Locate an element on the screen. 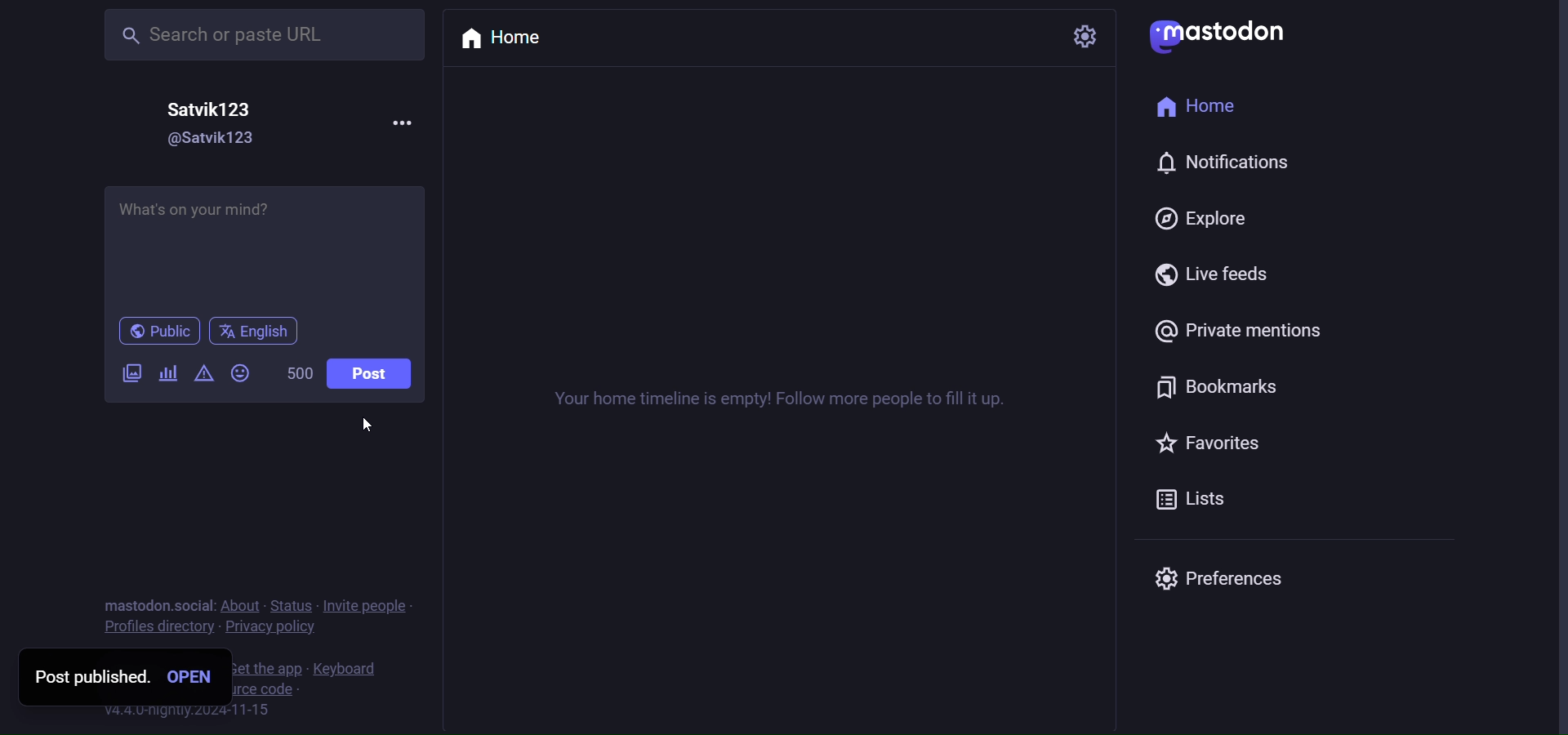 This screenshot has height=735, width=1568. notification is located at coordinates (1222, 167).